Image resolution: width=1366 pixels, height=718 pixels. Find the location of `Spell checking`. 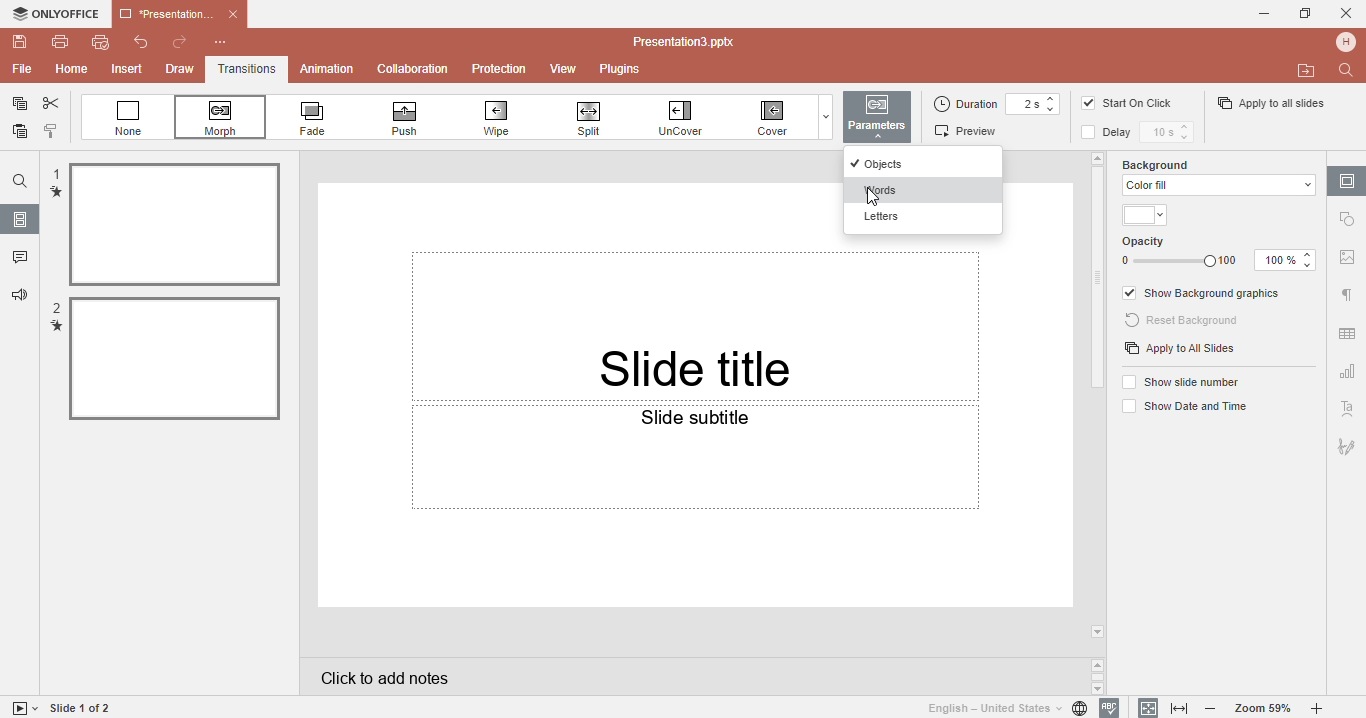

Spell checking is located at coordinates (1110, 708).